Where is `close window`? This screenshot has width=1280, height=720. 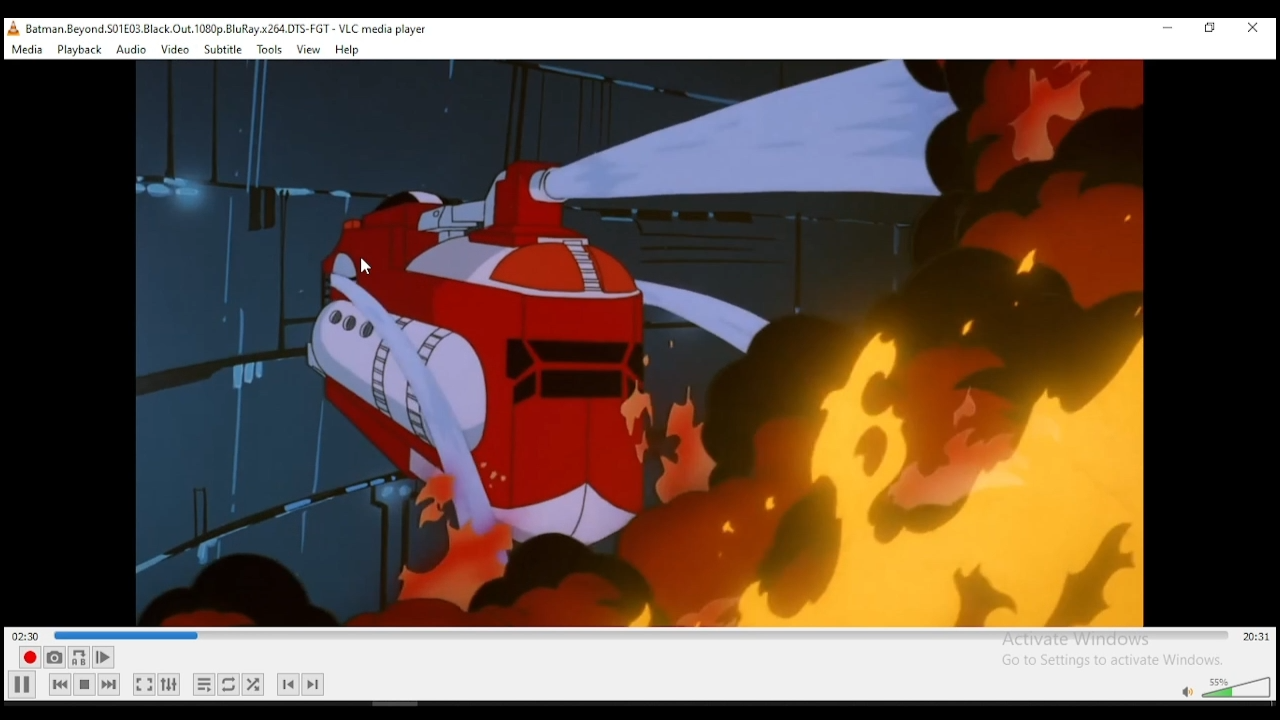 close window is located at coordinates (1256, 33).